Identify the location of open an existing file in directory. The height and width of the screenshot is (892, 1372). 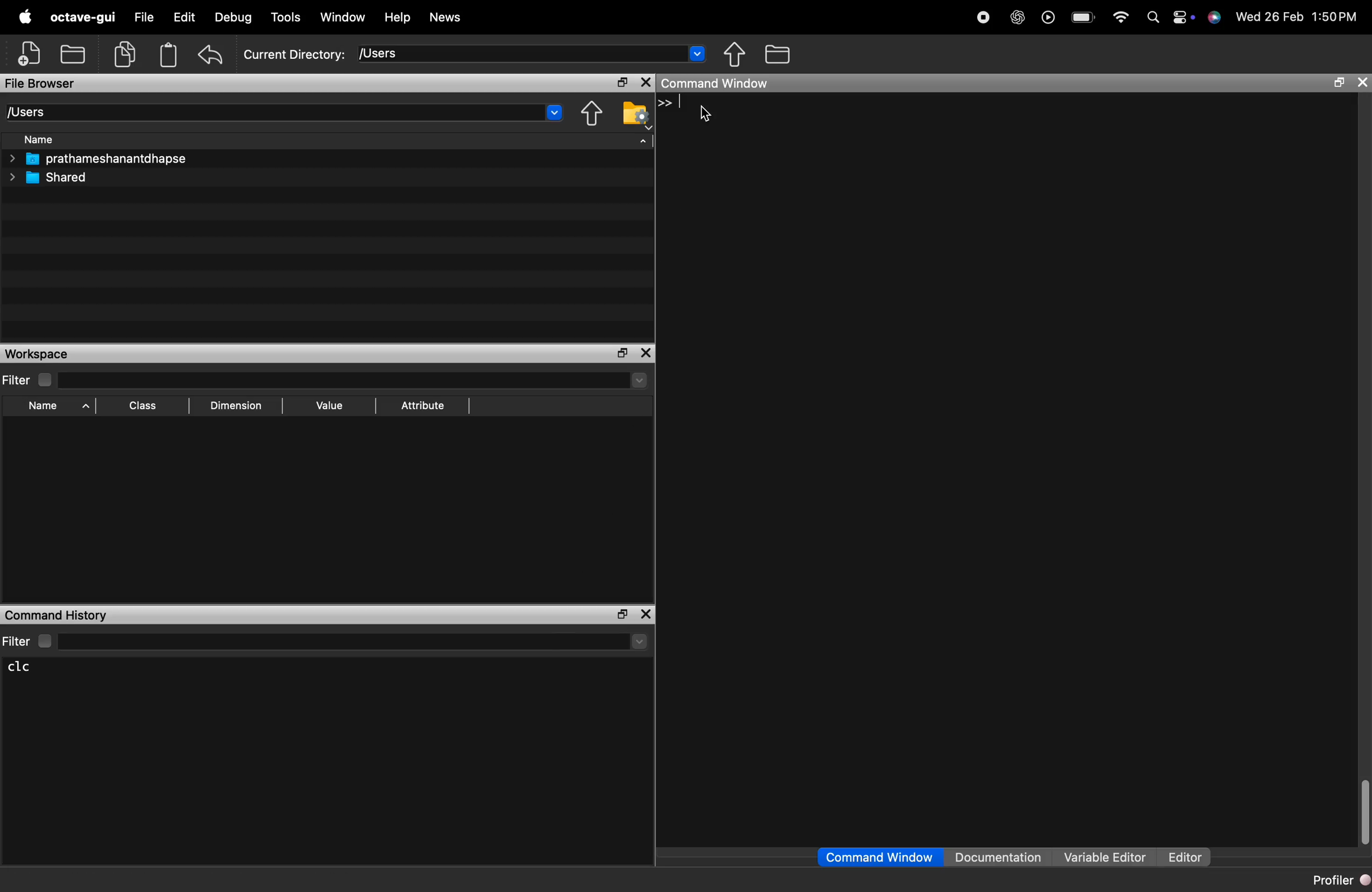
(76, 54).